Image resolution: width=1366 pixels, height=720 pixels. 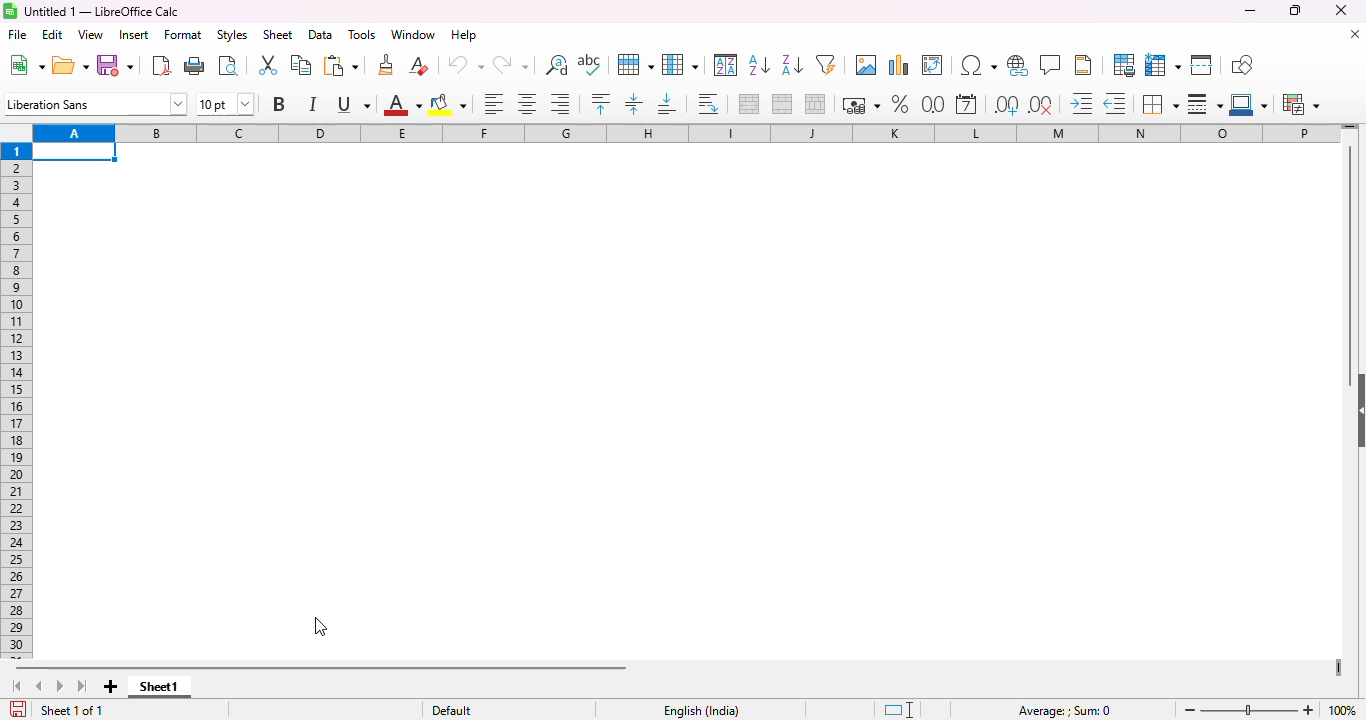 What do you see at coordinates (1303, 104) in the screenshot?
I see `conditional` at bounding box center [1303, 104].